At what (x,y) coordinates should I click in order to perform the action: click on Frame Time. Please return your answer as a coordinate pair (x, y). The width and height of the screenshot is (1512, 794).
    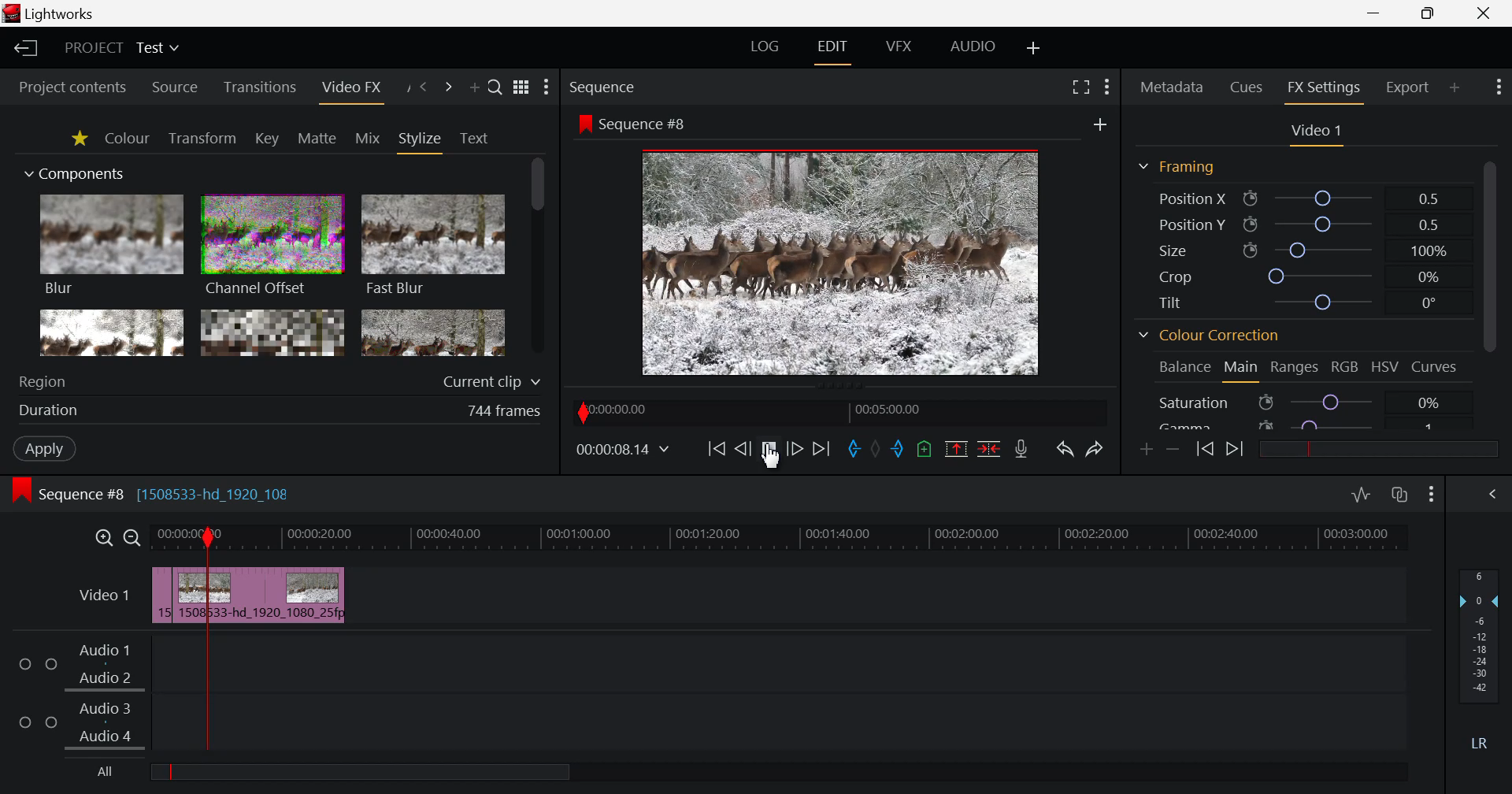
    Looking at the image, I should click on (623, 449).